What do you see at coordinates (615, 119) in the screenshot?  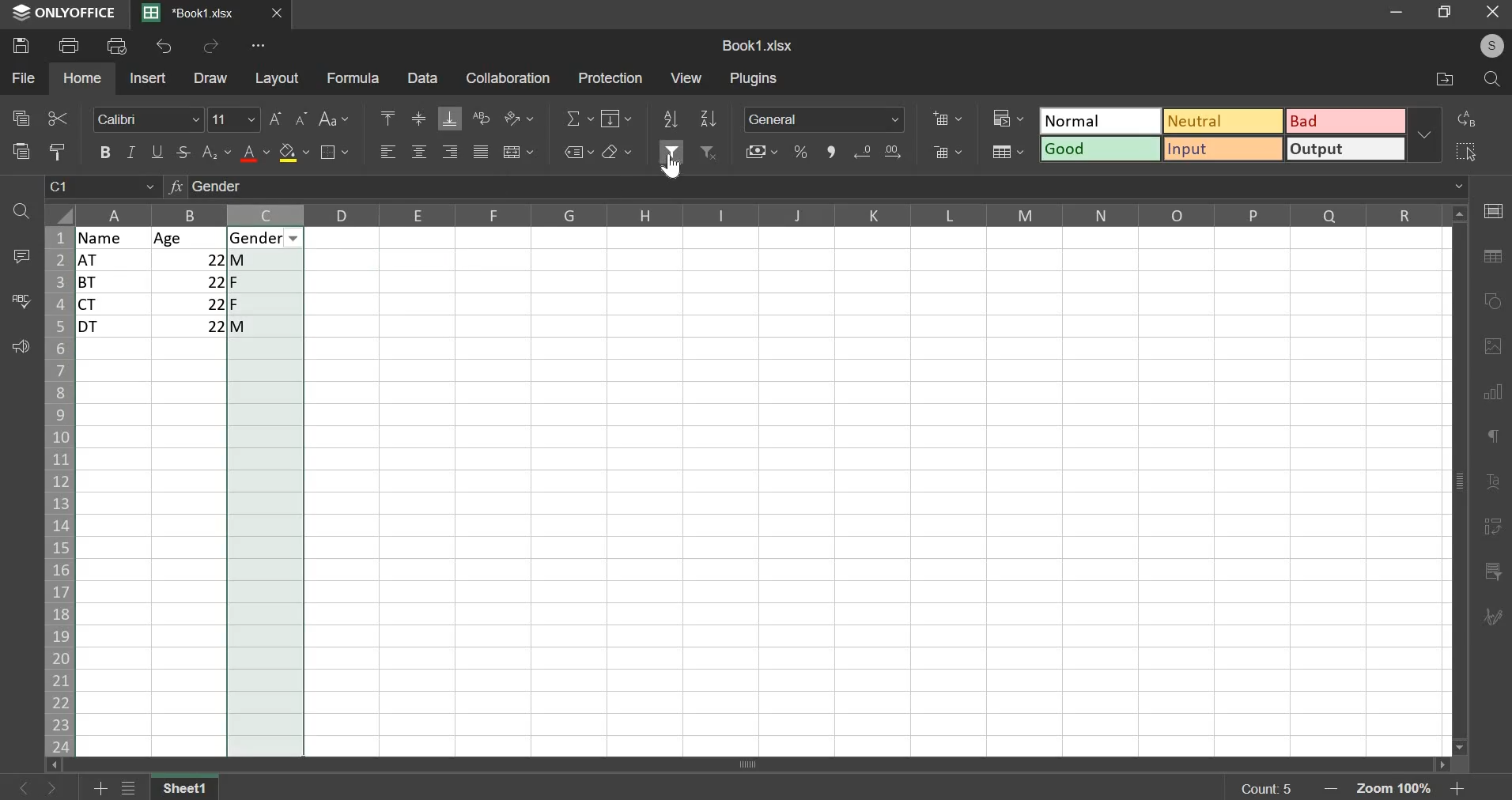 I see `fill` at bounding box center [615, 119].